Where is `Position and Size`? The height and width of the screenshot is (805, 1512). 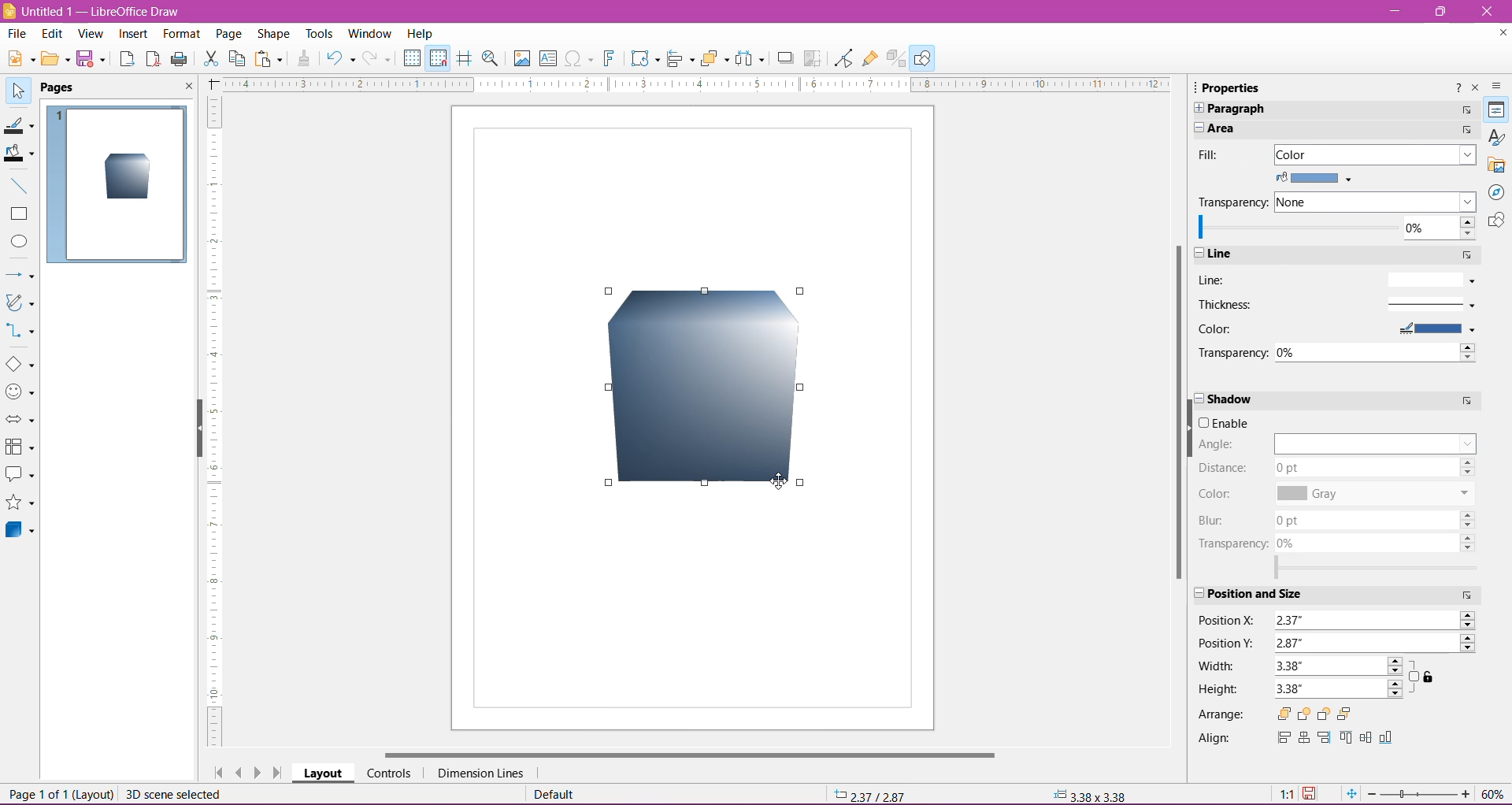
Position and Size is located at coordinates (1280, 595).